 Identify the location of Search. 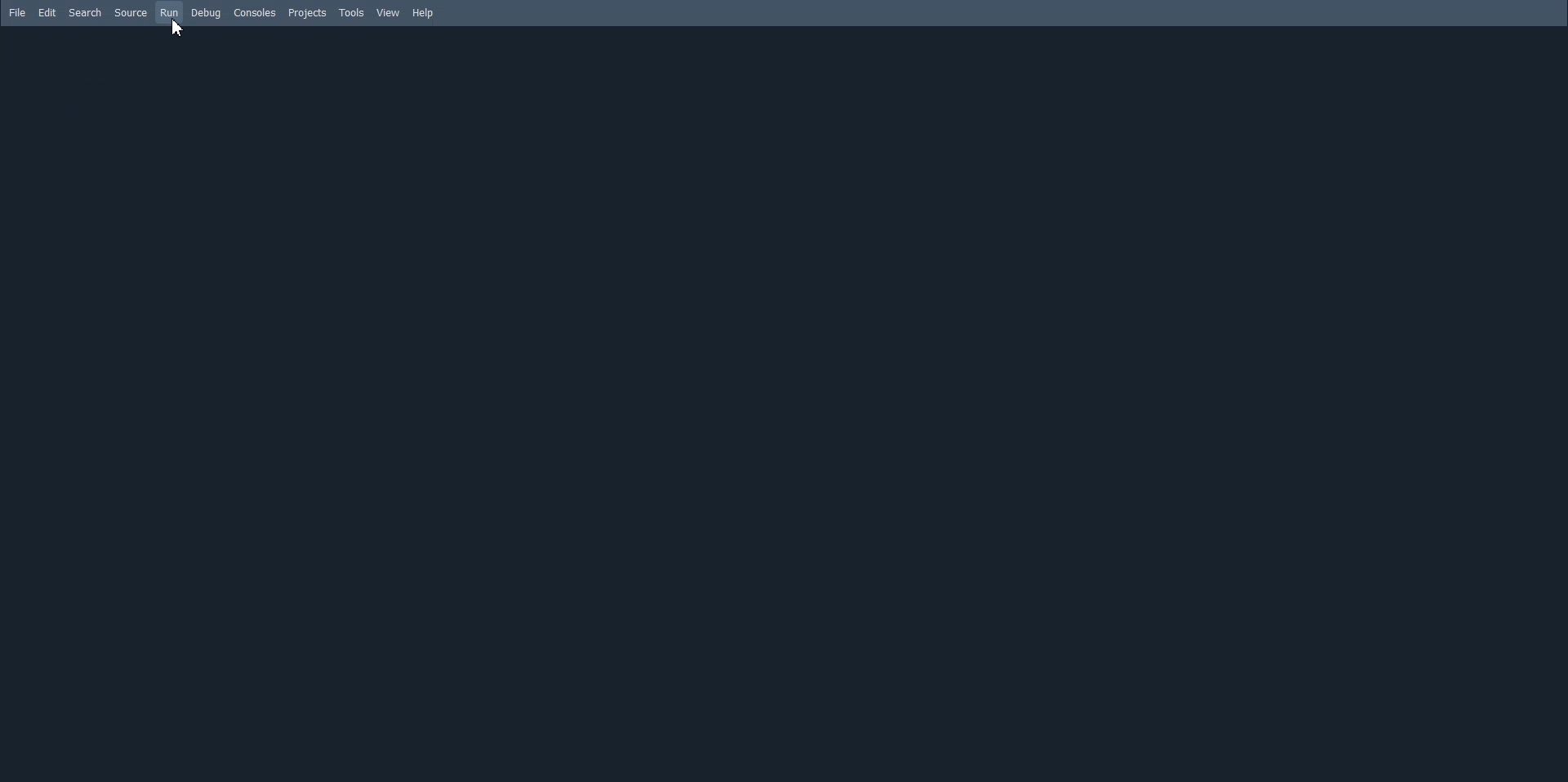
(85, 12).